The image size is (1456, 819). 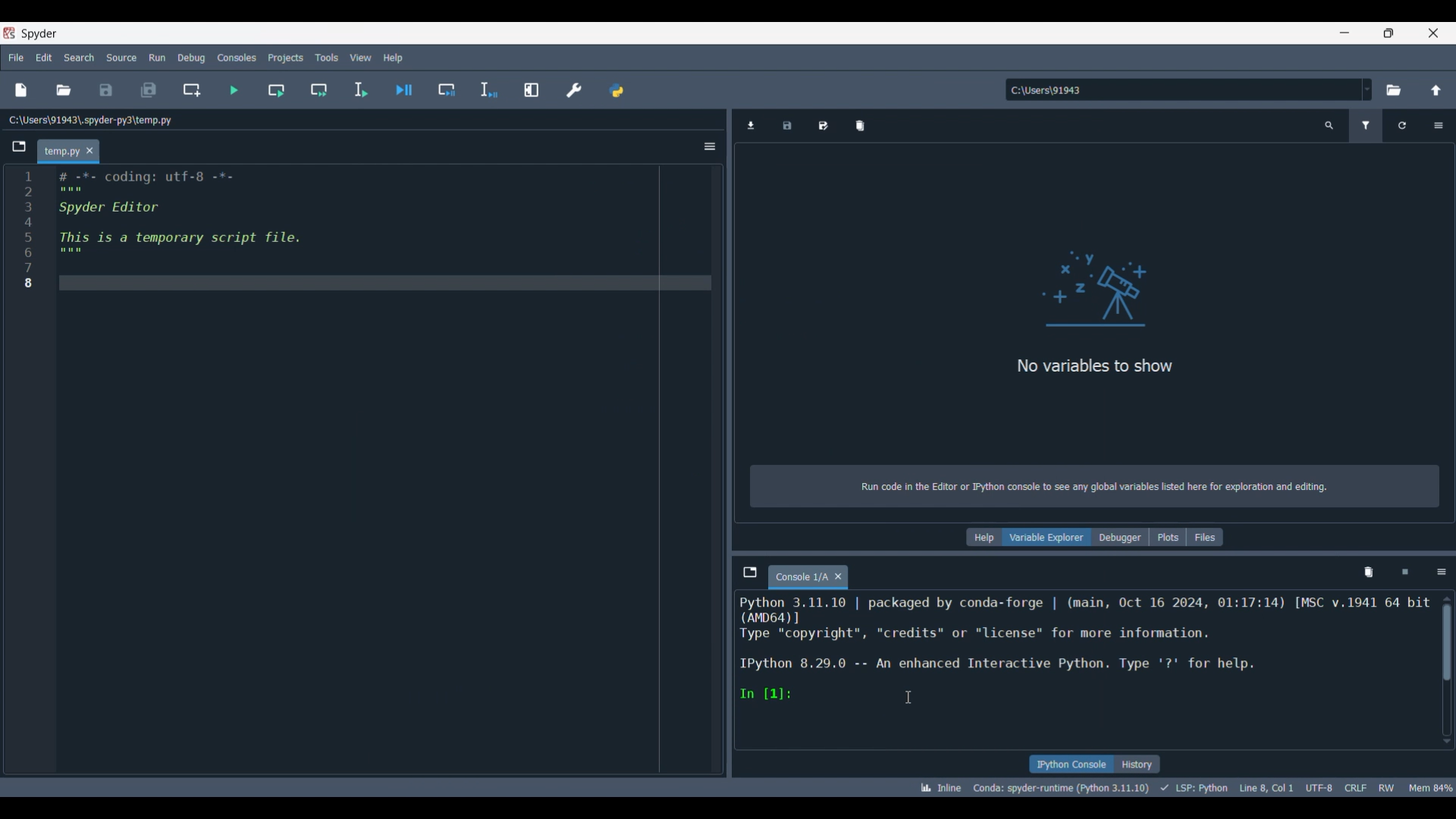 I want to click on Help menu, so click(x=393, y=58).